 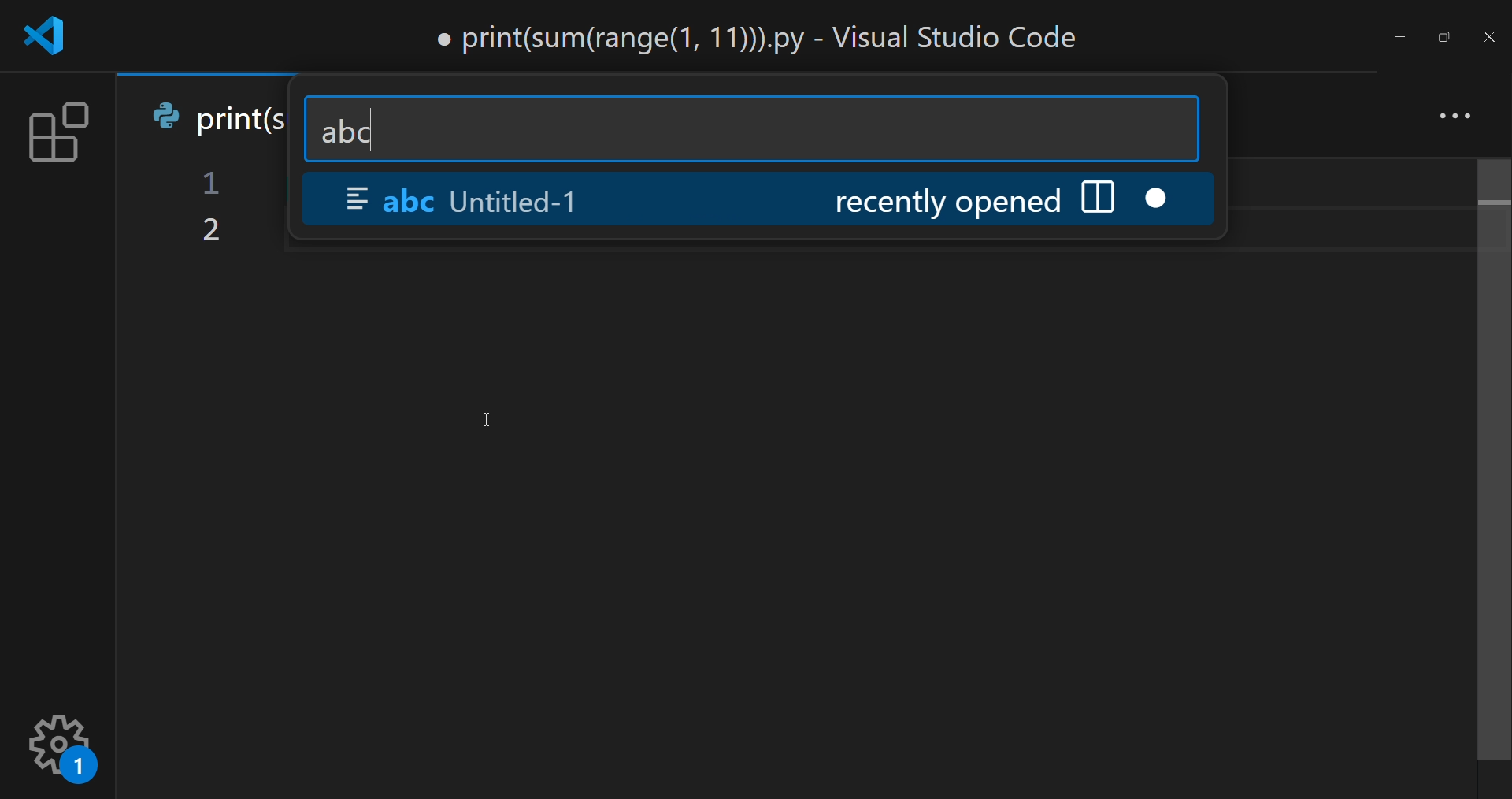 What do you see at coordinates (492, 417) in the screenshot?
I see `Cursor` at bounding box center [492, 417].